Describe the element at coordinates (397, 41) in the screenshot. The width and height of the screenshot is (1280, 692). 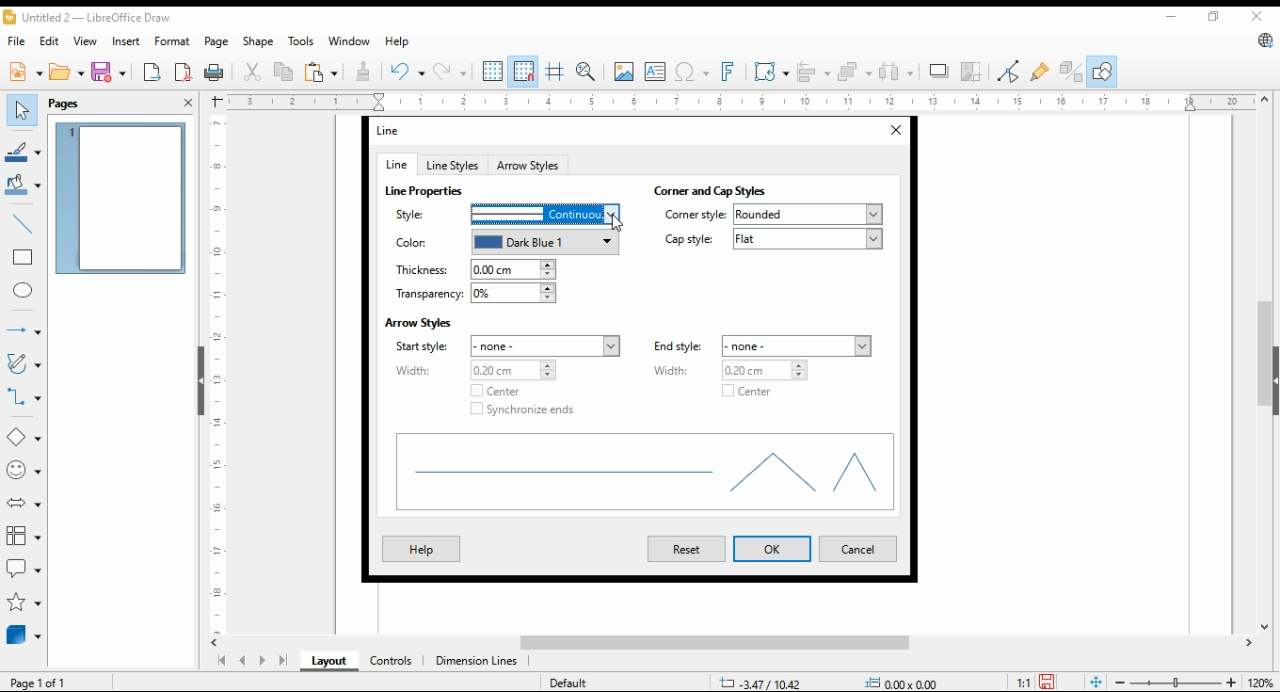
I see `help` at that location.